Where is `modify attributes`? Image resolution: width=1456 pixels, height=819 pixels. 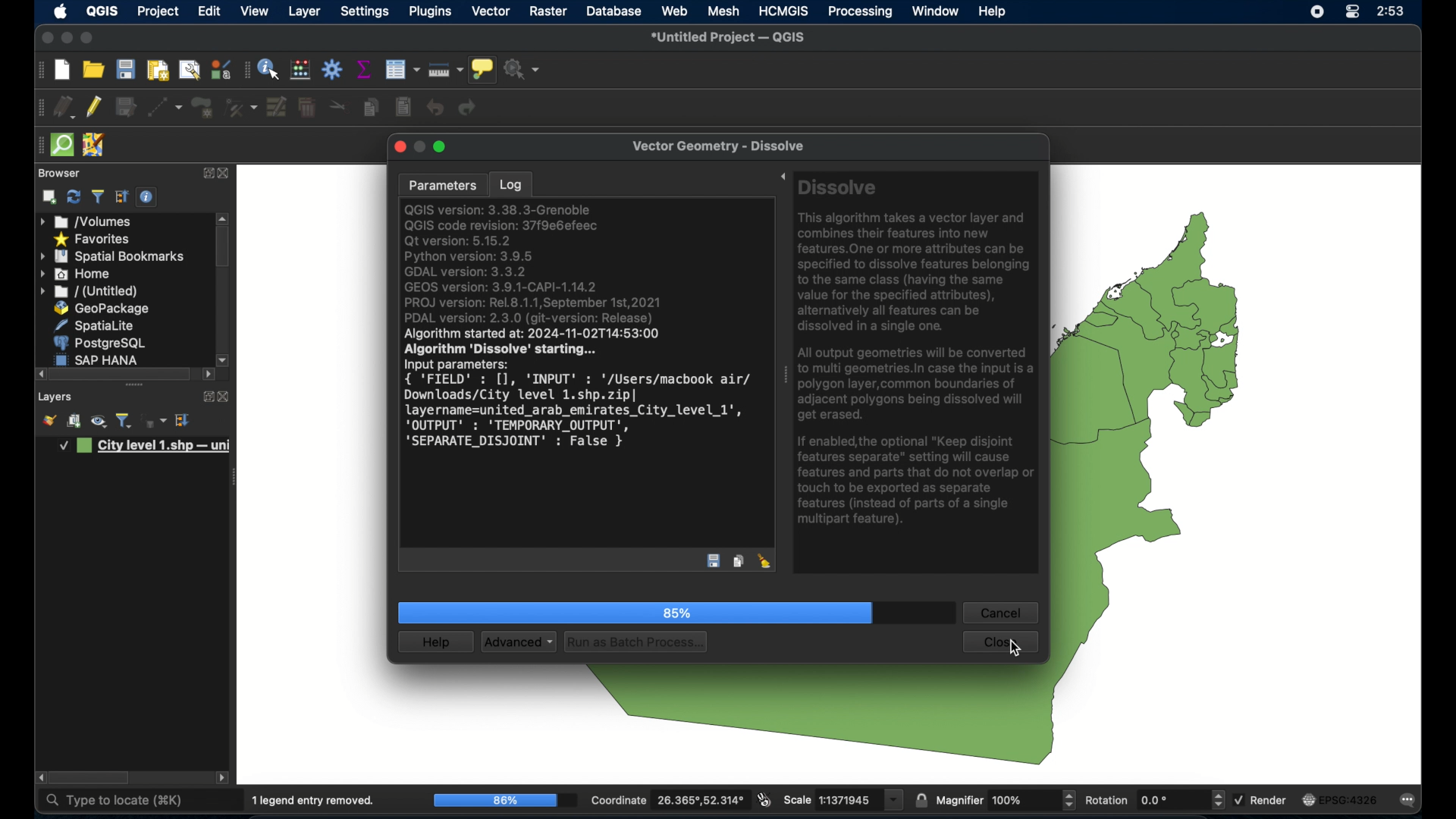
modify attributes is located at coordinates (275, 107).